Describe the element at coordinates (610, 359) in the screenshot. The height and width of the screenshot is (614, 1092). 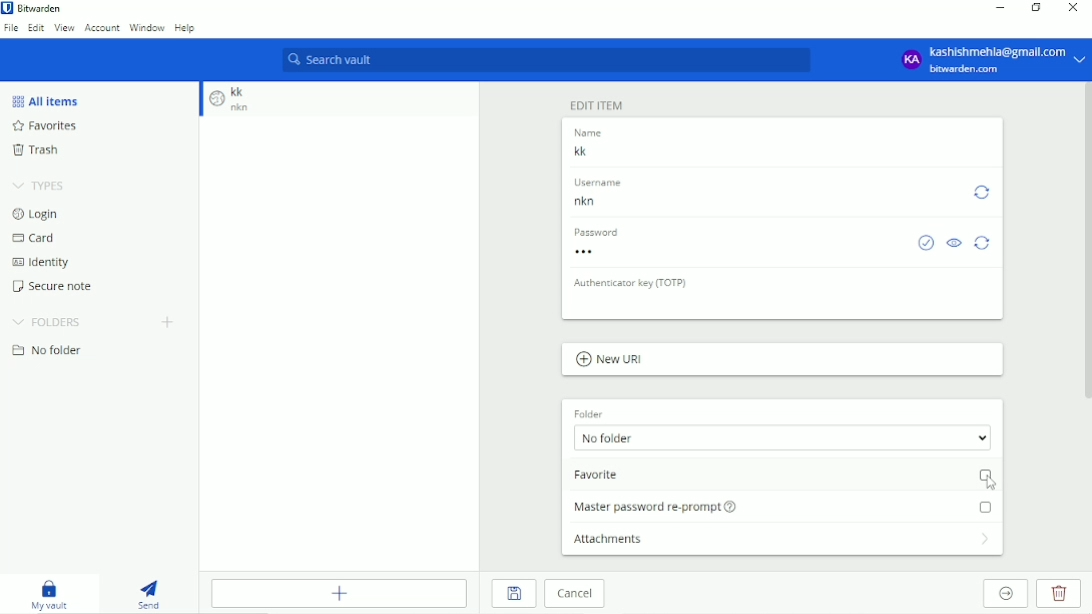
I see `New URL` at that location.